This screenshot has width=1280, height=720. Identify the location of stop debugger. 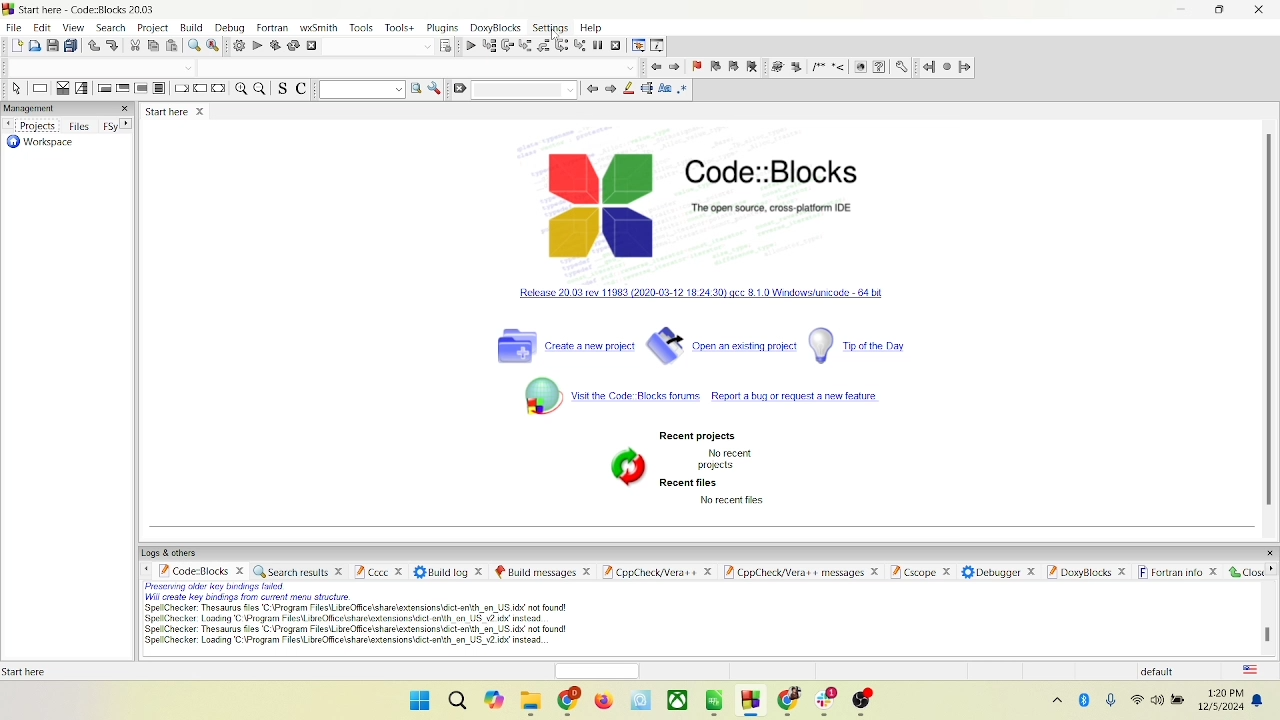
(616, 45).